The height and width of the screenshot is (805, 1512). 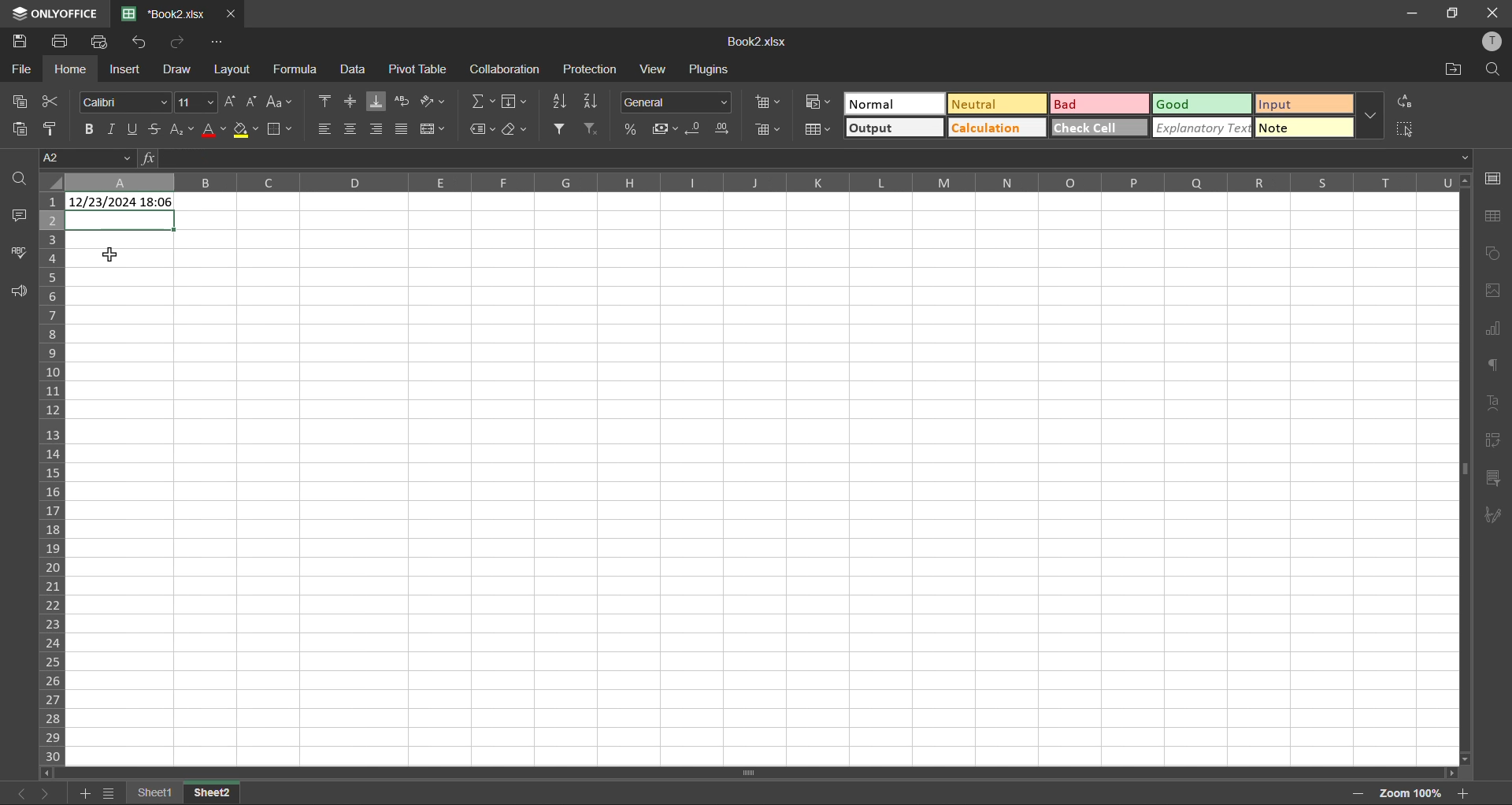 I want to click on home, so click(x=71, y=69).